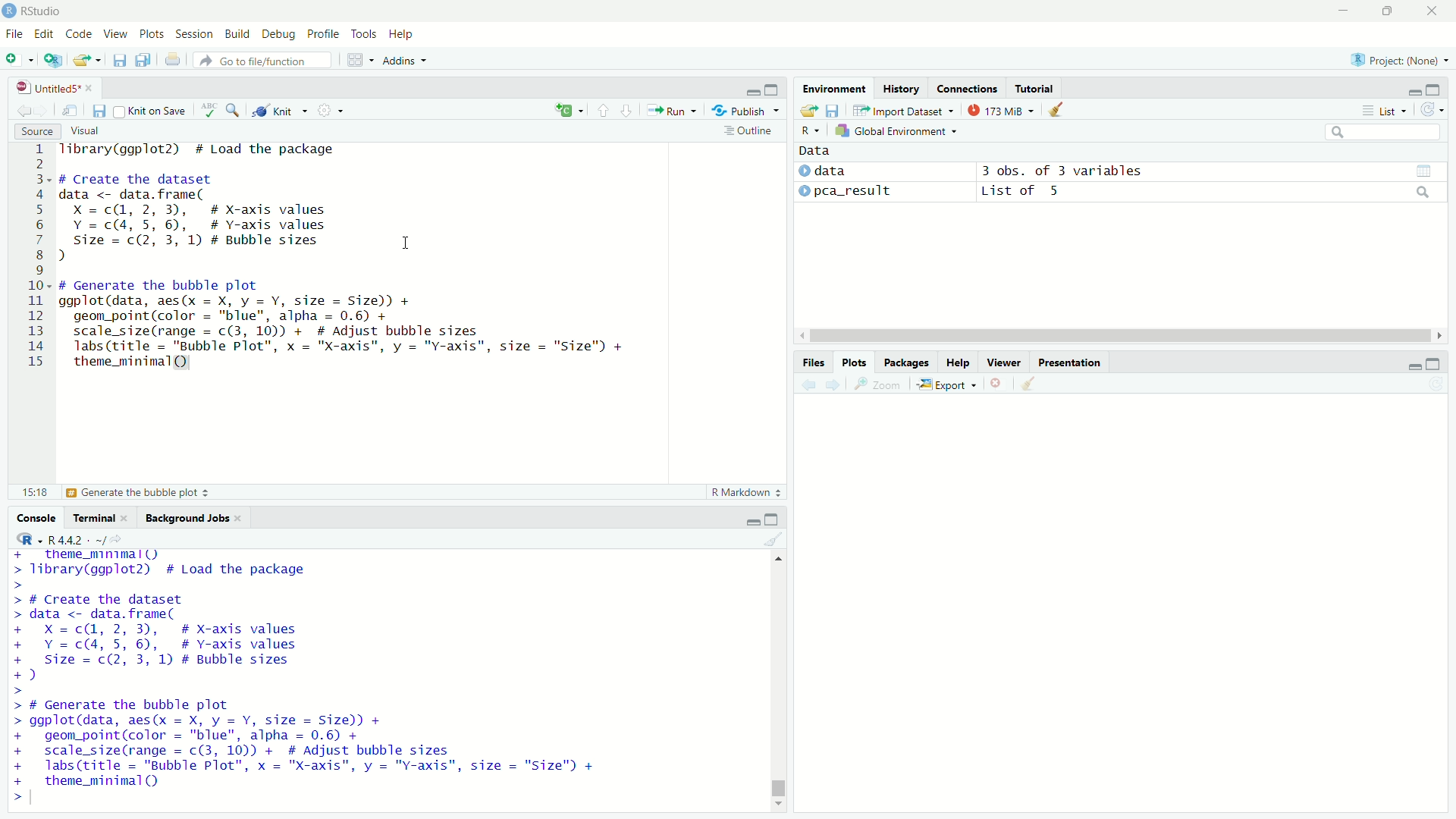 This screenshot has width=1456, height=819. Describe the element at coordinates (1004, 362) in the screenshot. I see `viewer` at that location.